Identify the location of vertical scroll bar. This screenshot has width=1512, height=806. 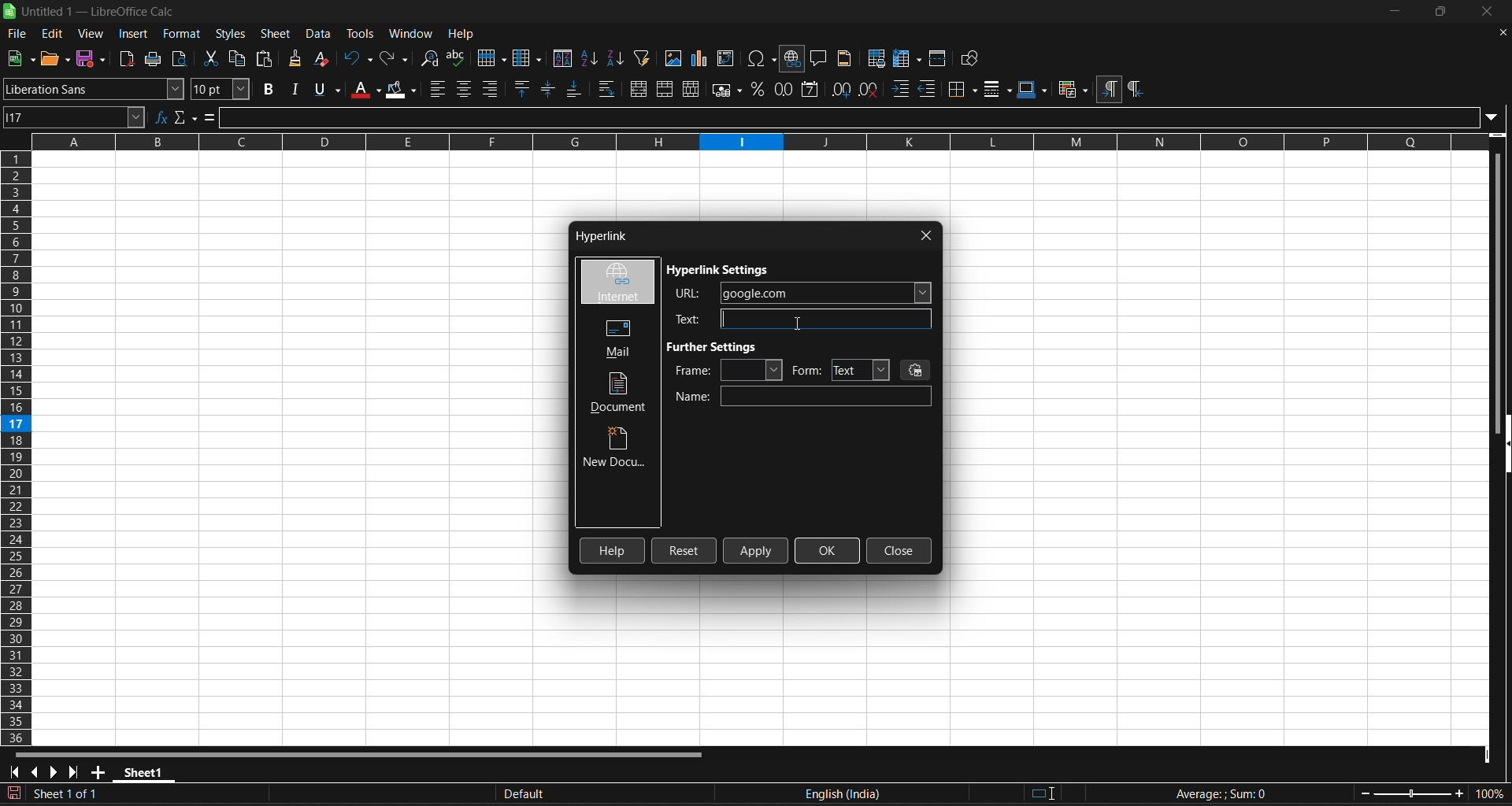
(1503, 278).